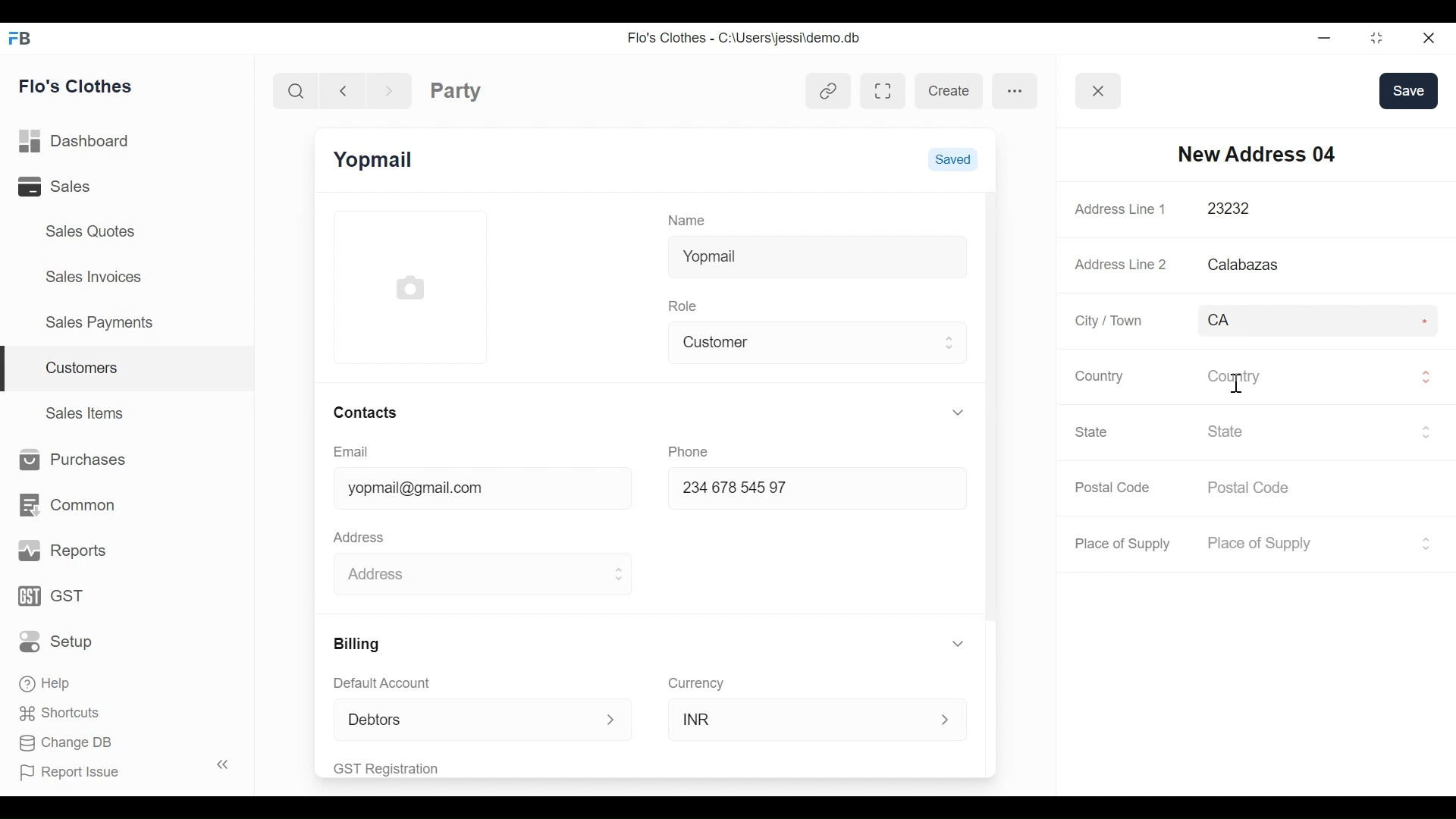 This screenshot has height=819, width=1456. What do you see at coordinates (1304, 544) in the screenshot?
I see `Place of Supply` at bounding box center [1304, 544].